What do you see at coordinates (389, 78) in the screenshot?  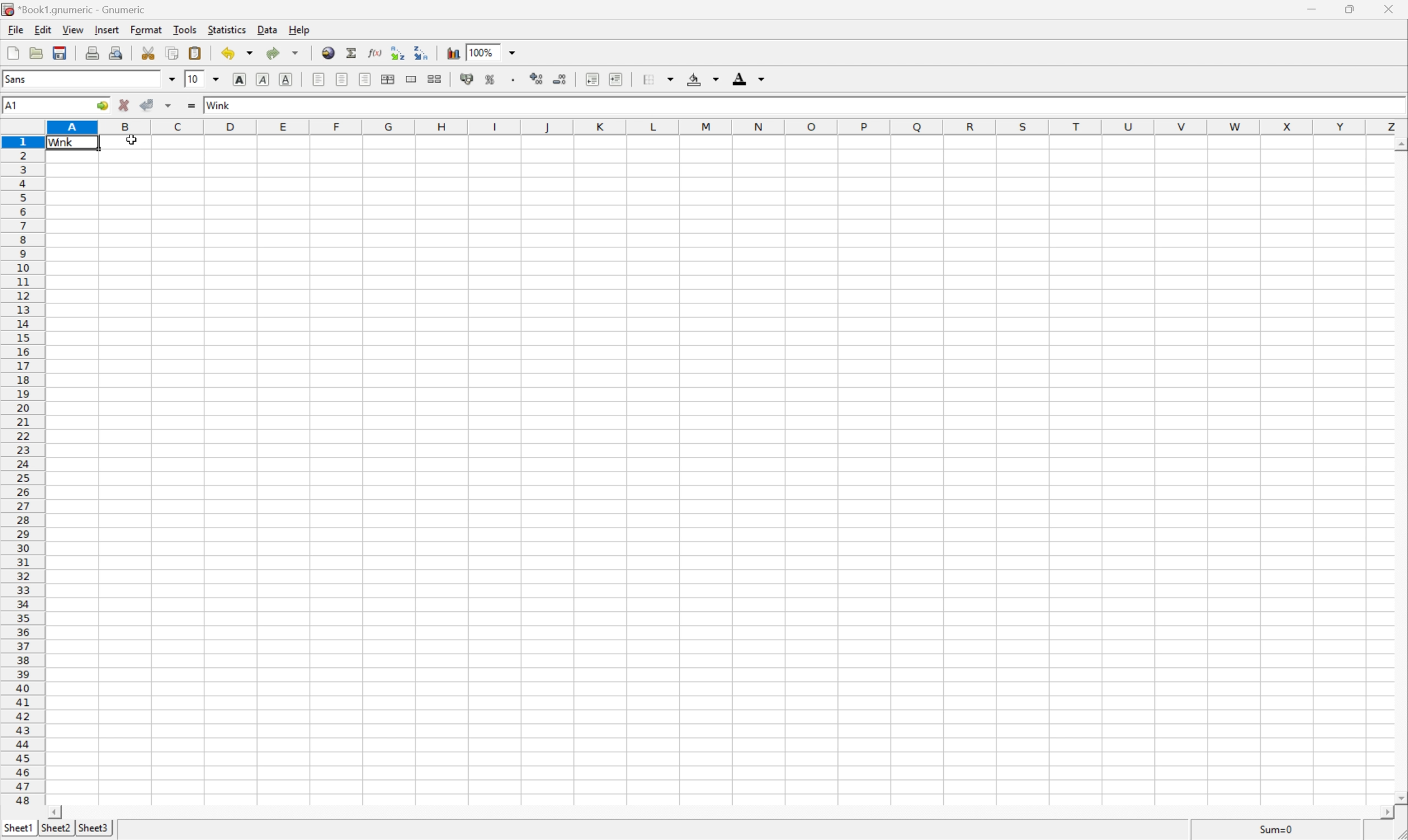 I see `center horizontally` at bounding box center [389, 78].